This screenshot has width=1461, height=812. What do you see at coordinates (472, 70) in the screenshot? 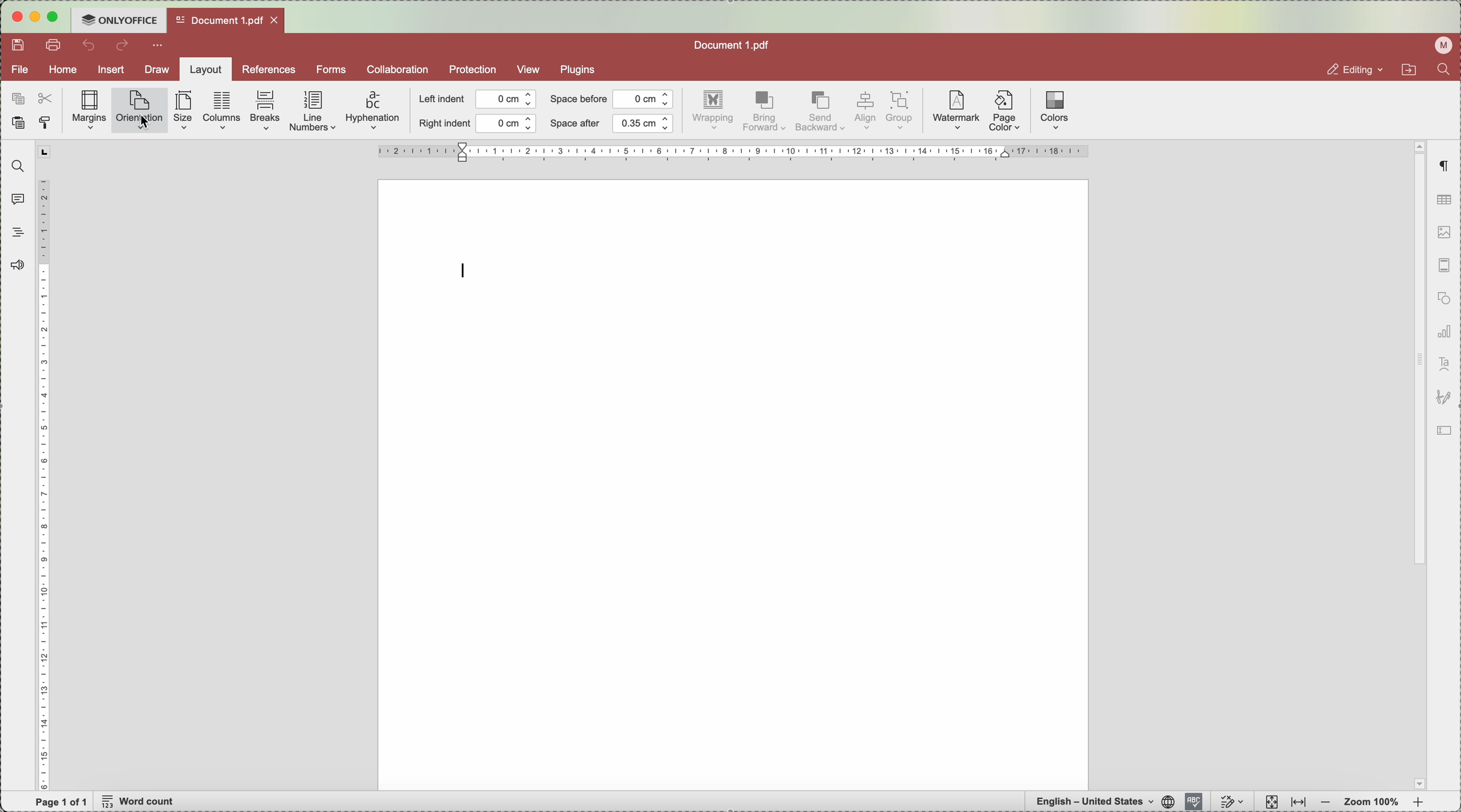
I see `protection` at bounding box center [472, 70].